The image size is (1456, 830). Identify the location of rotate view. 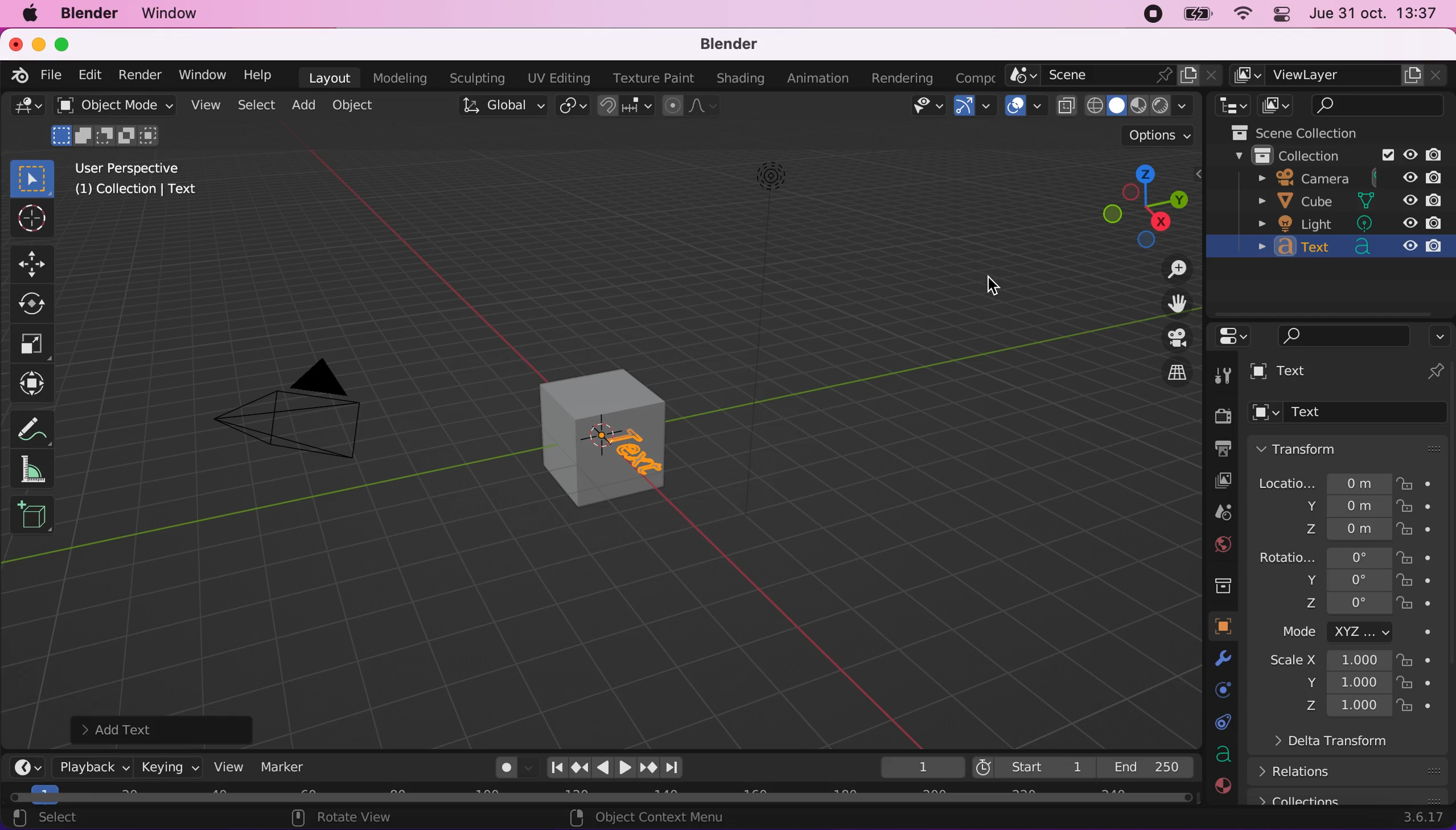
(343, 818).